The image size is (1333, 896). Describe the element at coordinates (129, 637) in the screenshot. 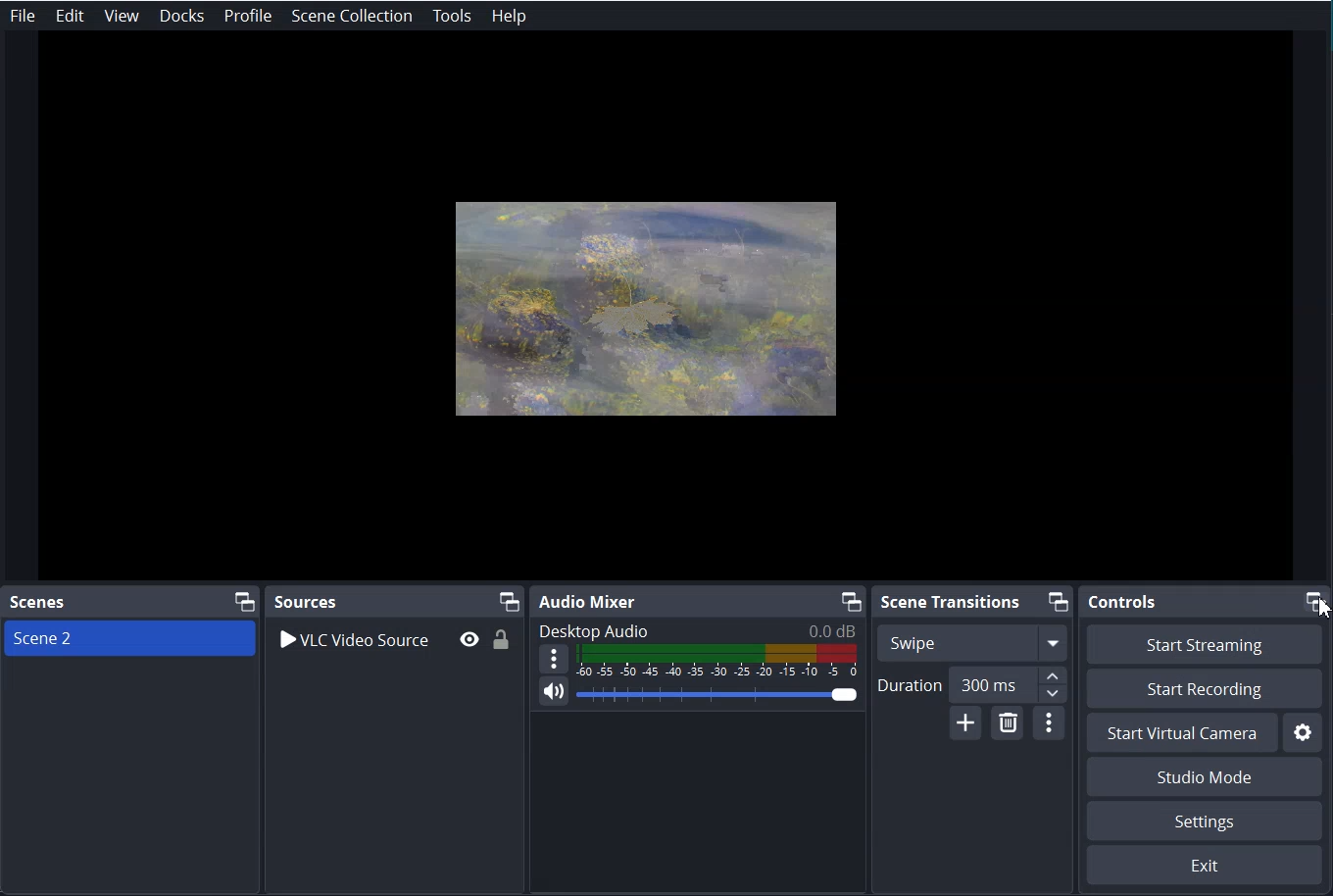

I see `Scene ` at that location.